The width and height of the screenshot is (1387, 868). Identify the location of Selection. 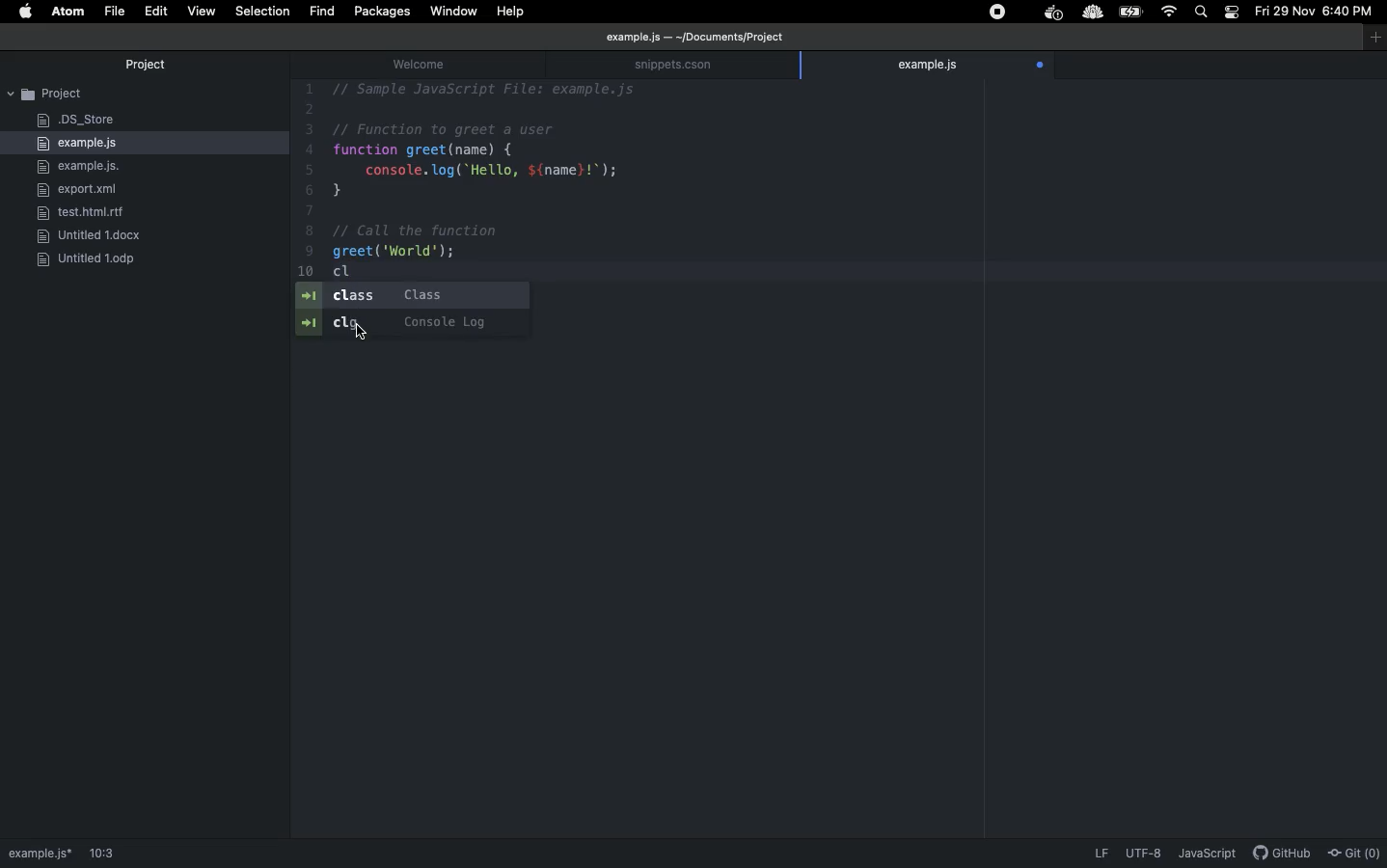
(265, 12).